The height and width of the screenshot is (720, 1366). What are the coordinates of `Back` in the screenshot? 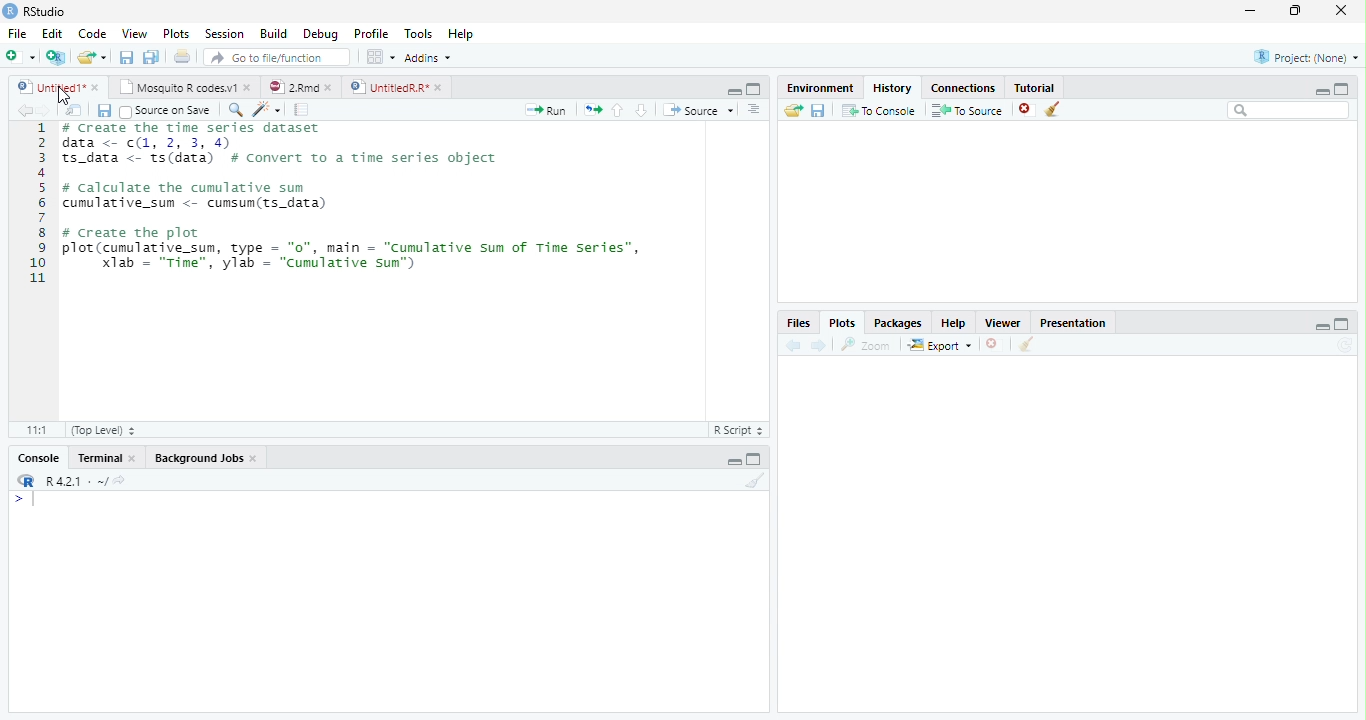 It's located at (23, 111).